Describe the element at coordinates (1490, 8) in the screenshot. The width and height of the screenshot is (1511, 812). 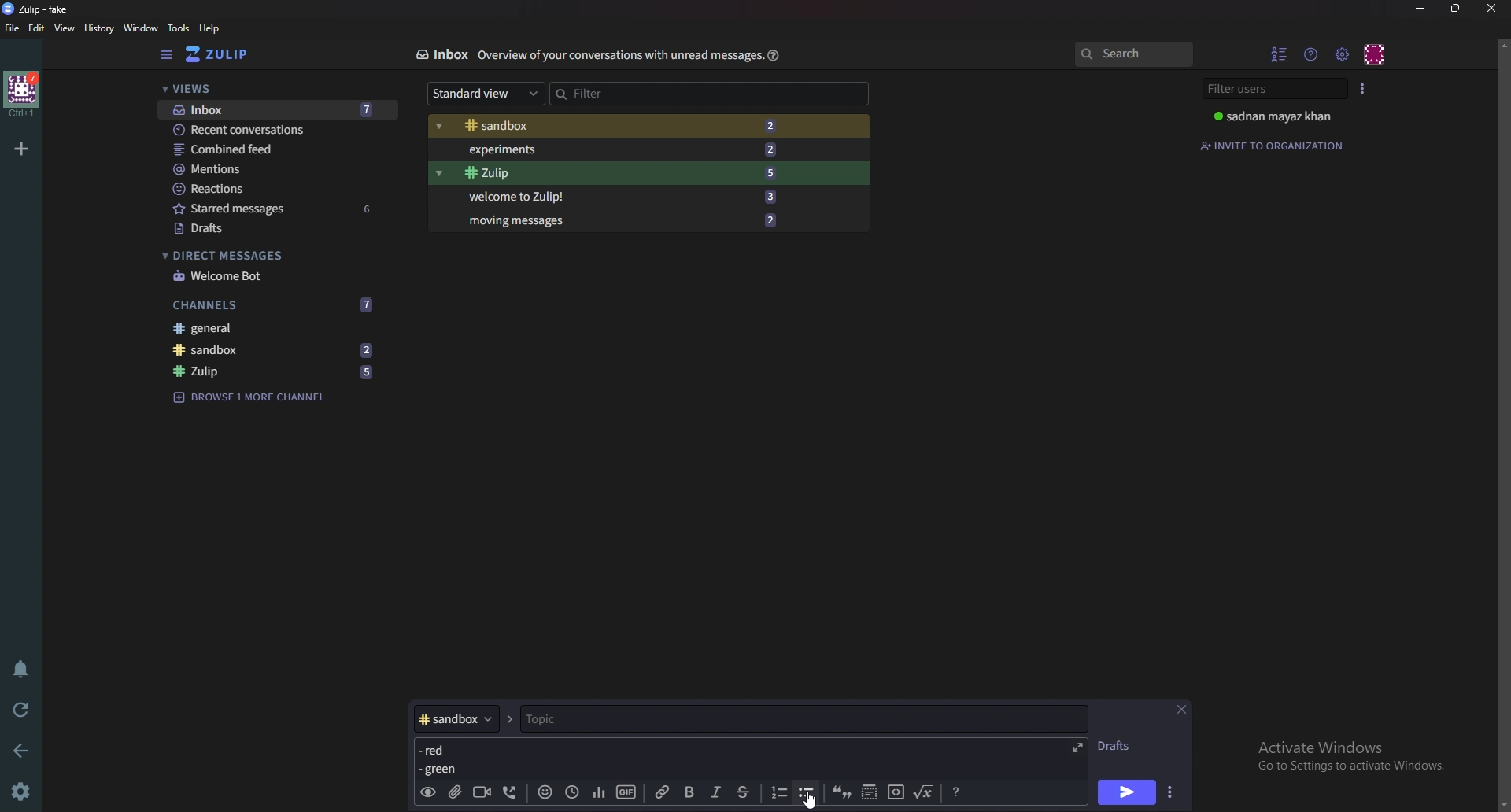
I see `close` at that location.